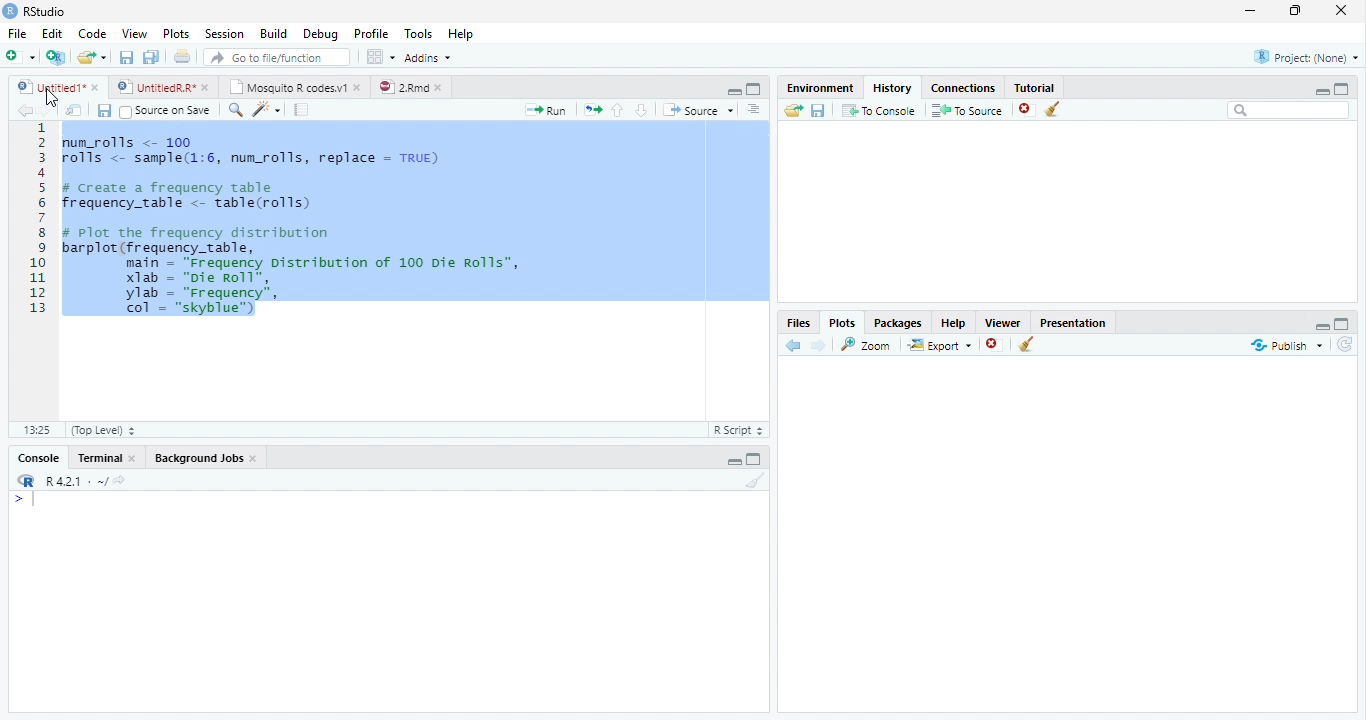 Image resolution: width=1366 pixels, height=720 pixels. I want to click on History, so click(893, 86).